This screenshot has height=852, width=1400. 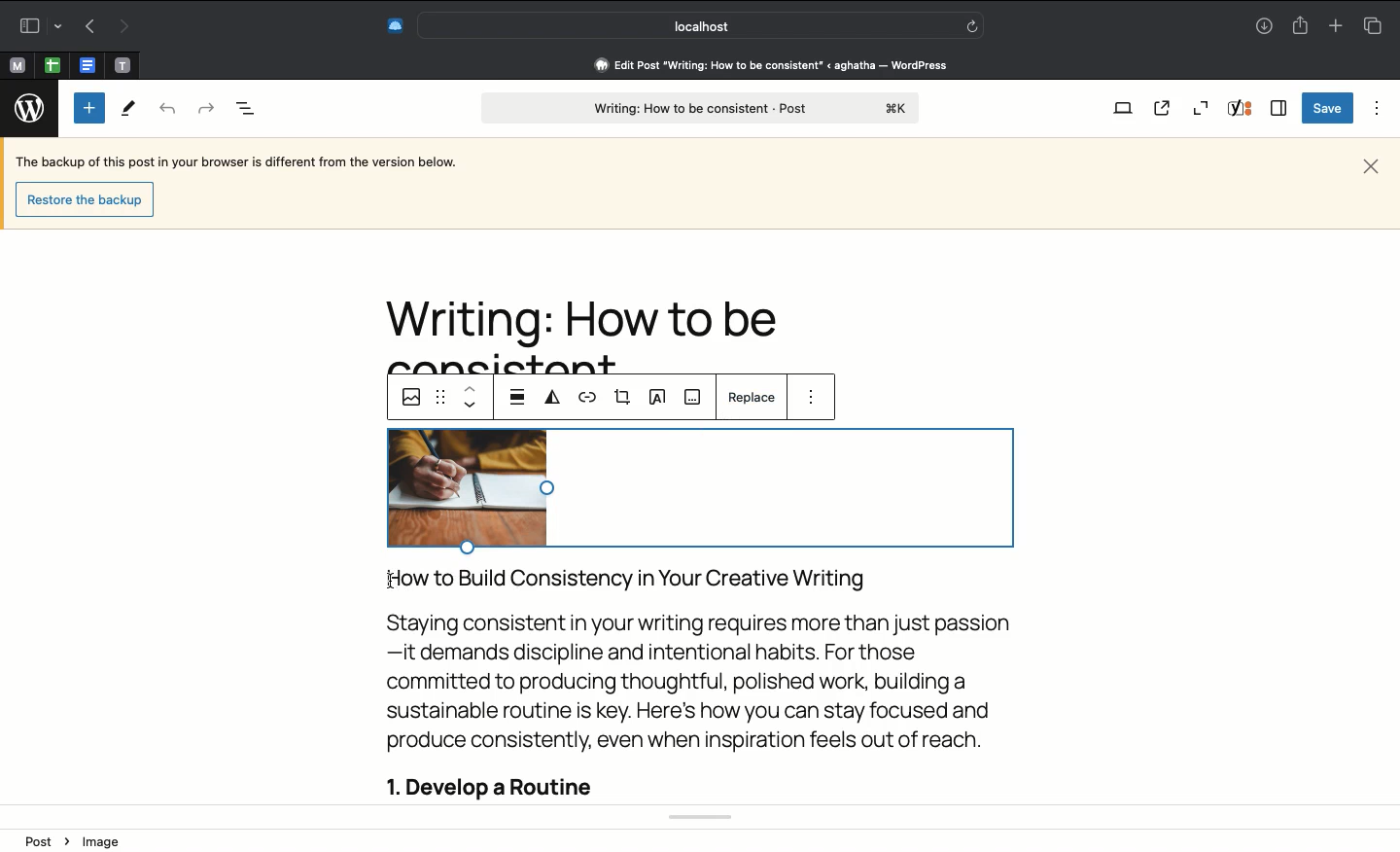 I want to click on edit post, so click(x=774, y=65).